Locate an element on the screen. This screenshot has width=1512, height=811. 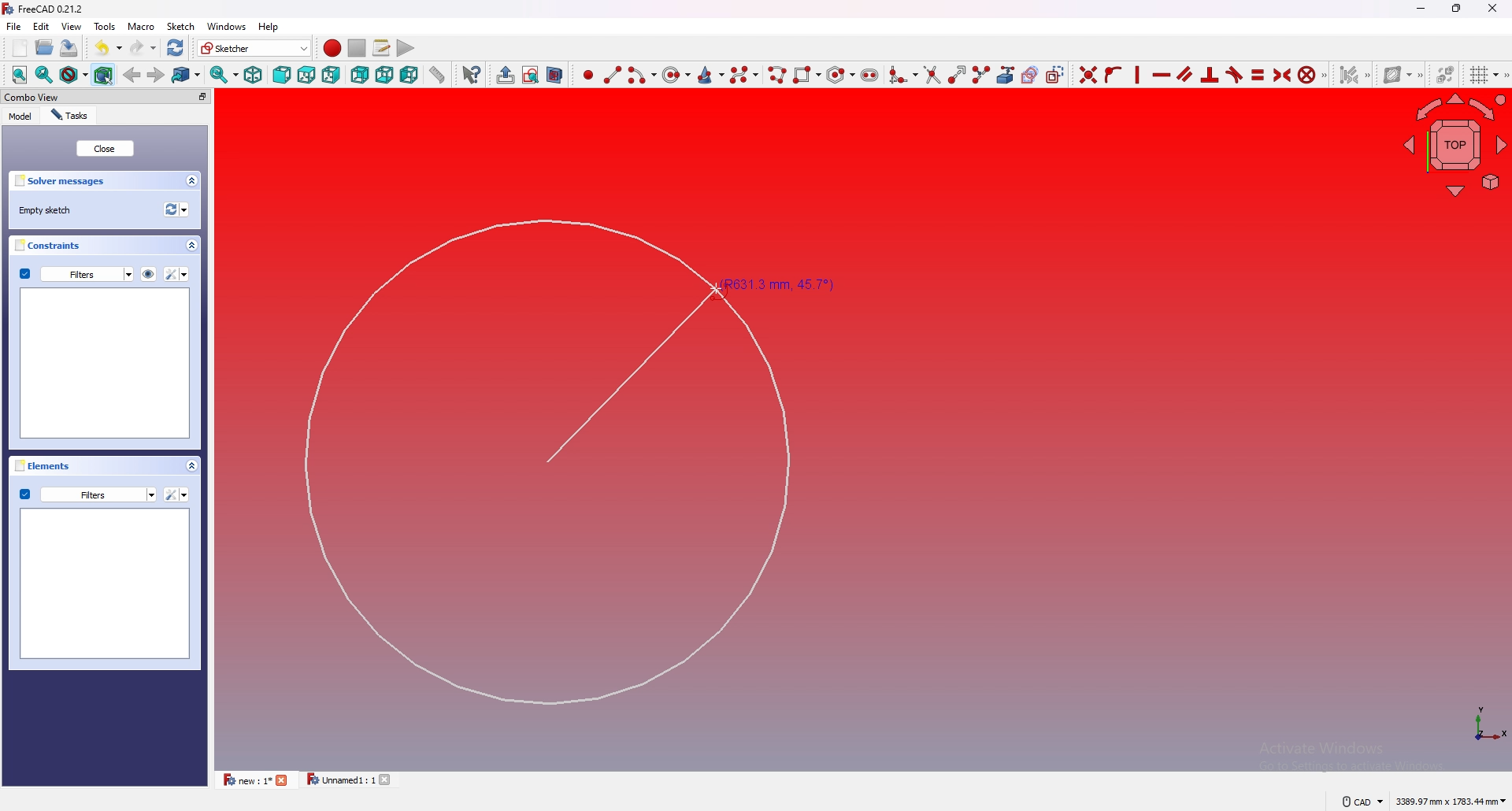
Sketcher is located at coordinates (254, 48).